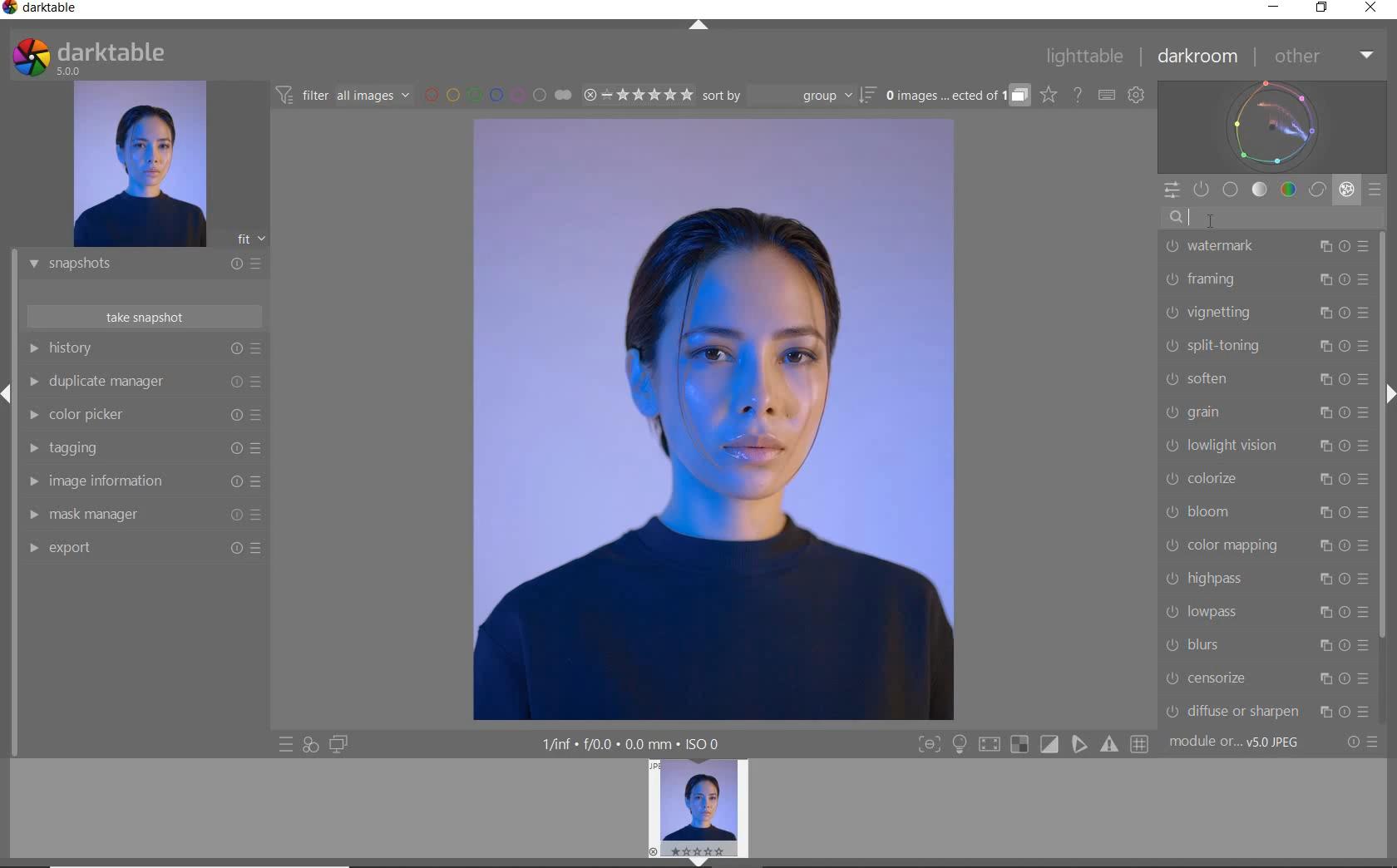  I want to click on Button, so click(929, 746).